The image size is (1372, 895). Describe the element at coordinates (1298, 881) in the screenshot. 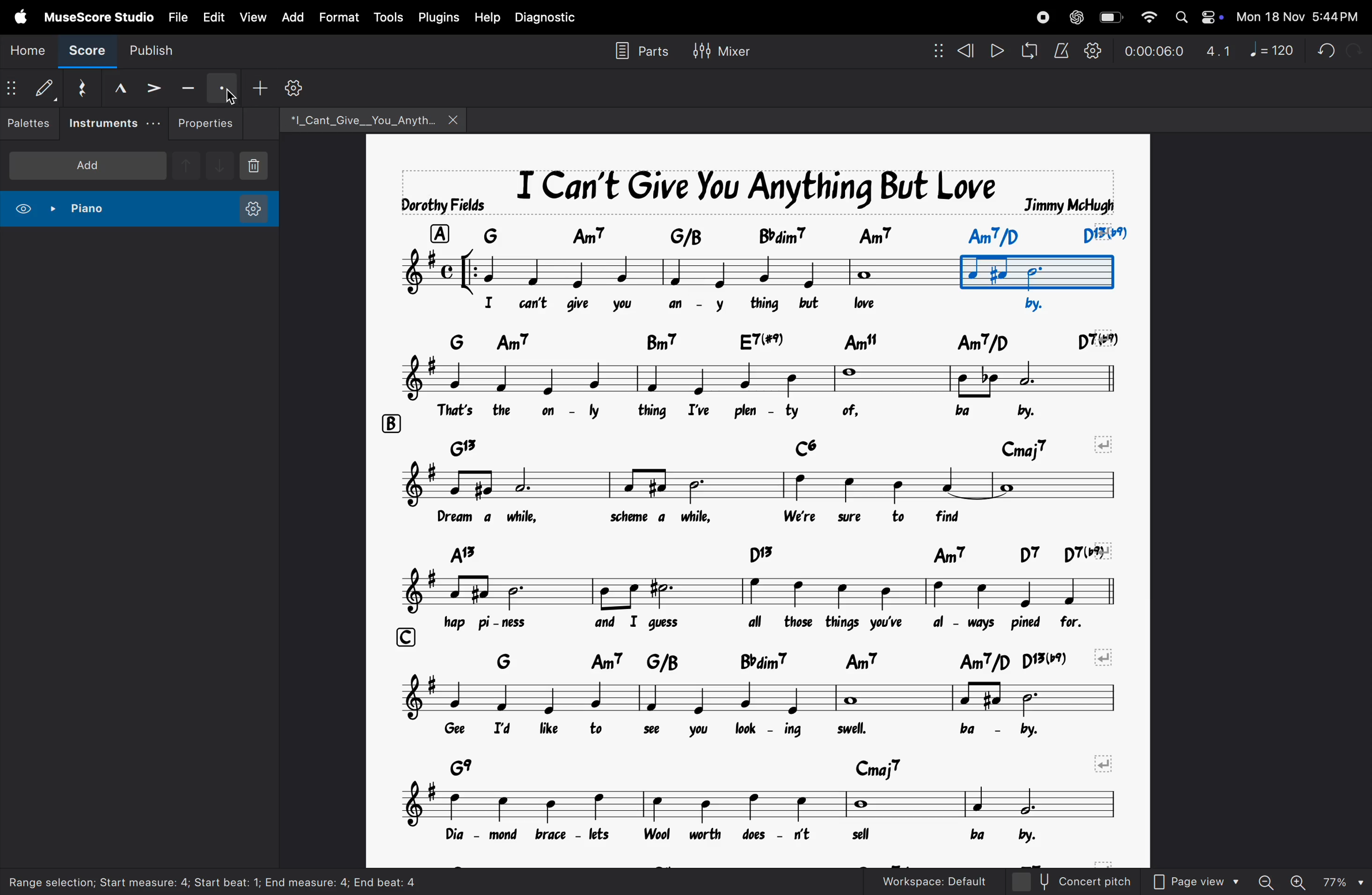

I see `zoom in` at that location.